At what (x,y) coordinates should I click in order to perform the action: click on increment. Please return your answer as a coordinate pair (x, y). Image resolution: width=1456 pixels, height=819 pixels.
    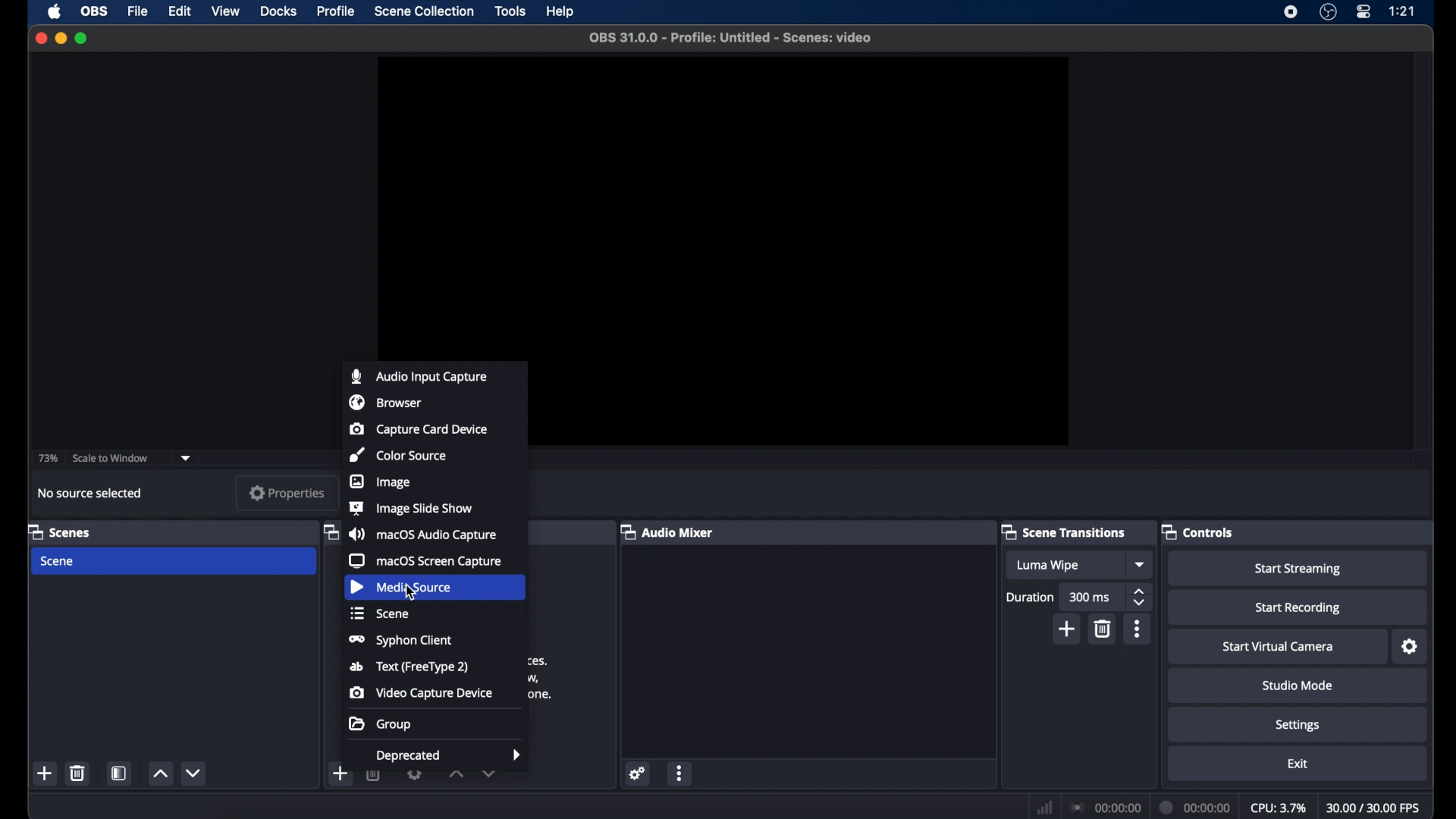
    Looking at the image, I should click on (455, 775).